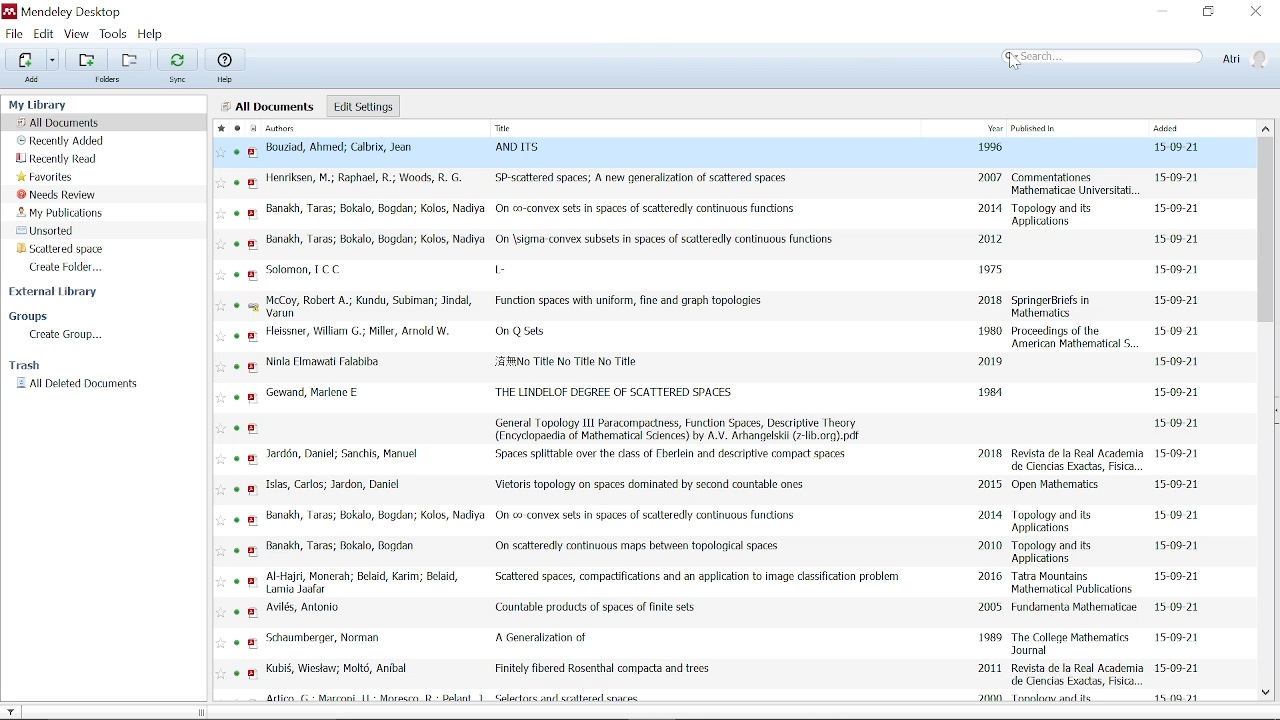 The image size is (1280, 720). What do you see at coordinates (728, 366) in the screenshot?
I see `Ninla Fimawati Falabiba. JE ##No Title No Title No Title 2019, 15-09-21` at bounding box center [728, 366].